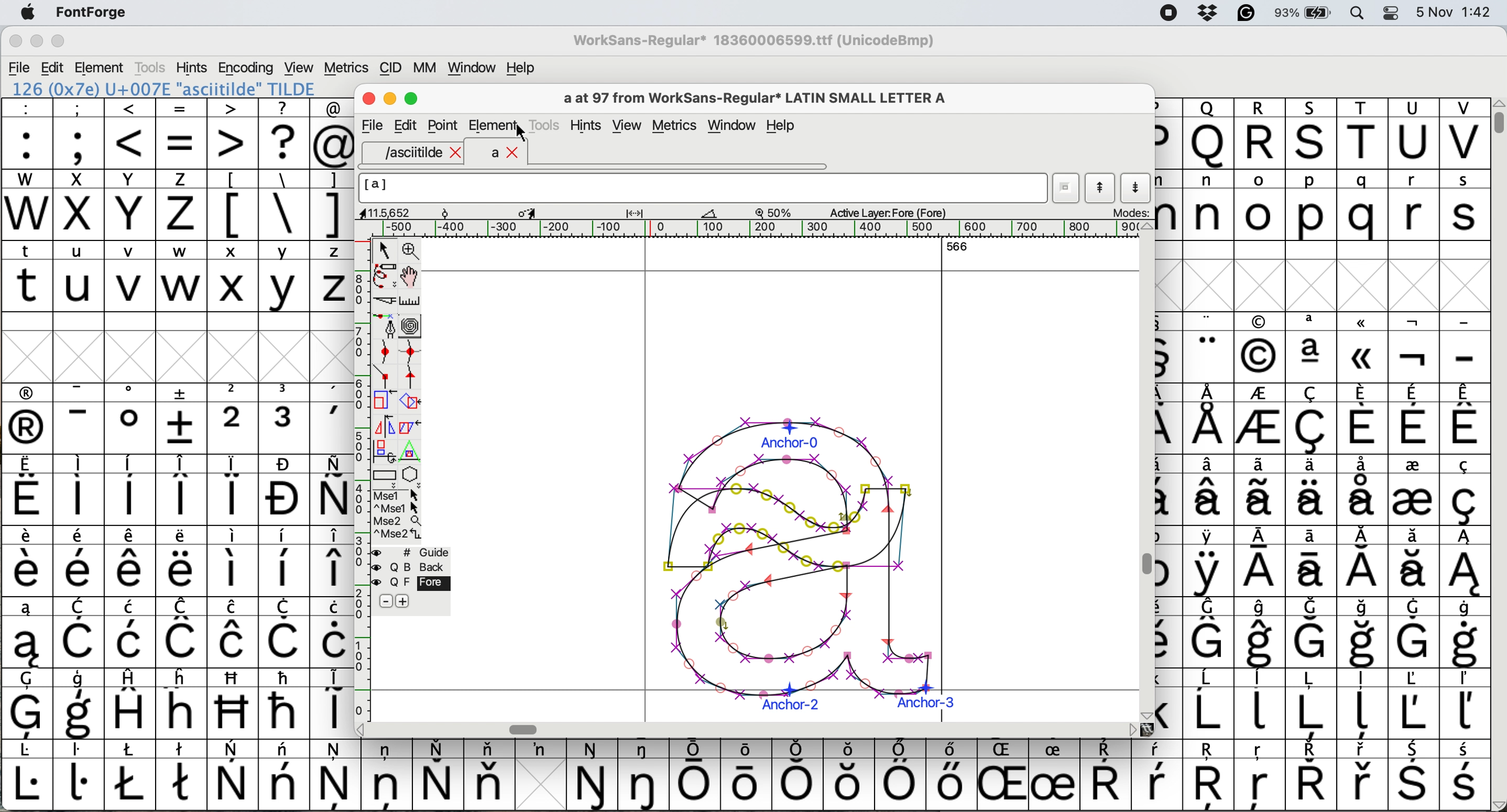 The width and height of the screenshot is (1507, 812). What do you see at coordinates (494, 127) in the screenshot?
I see `element` at bounding box center [494, 127].